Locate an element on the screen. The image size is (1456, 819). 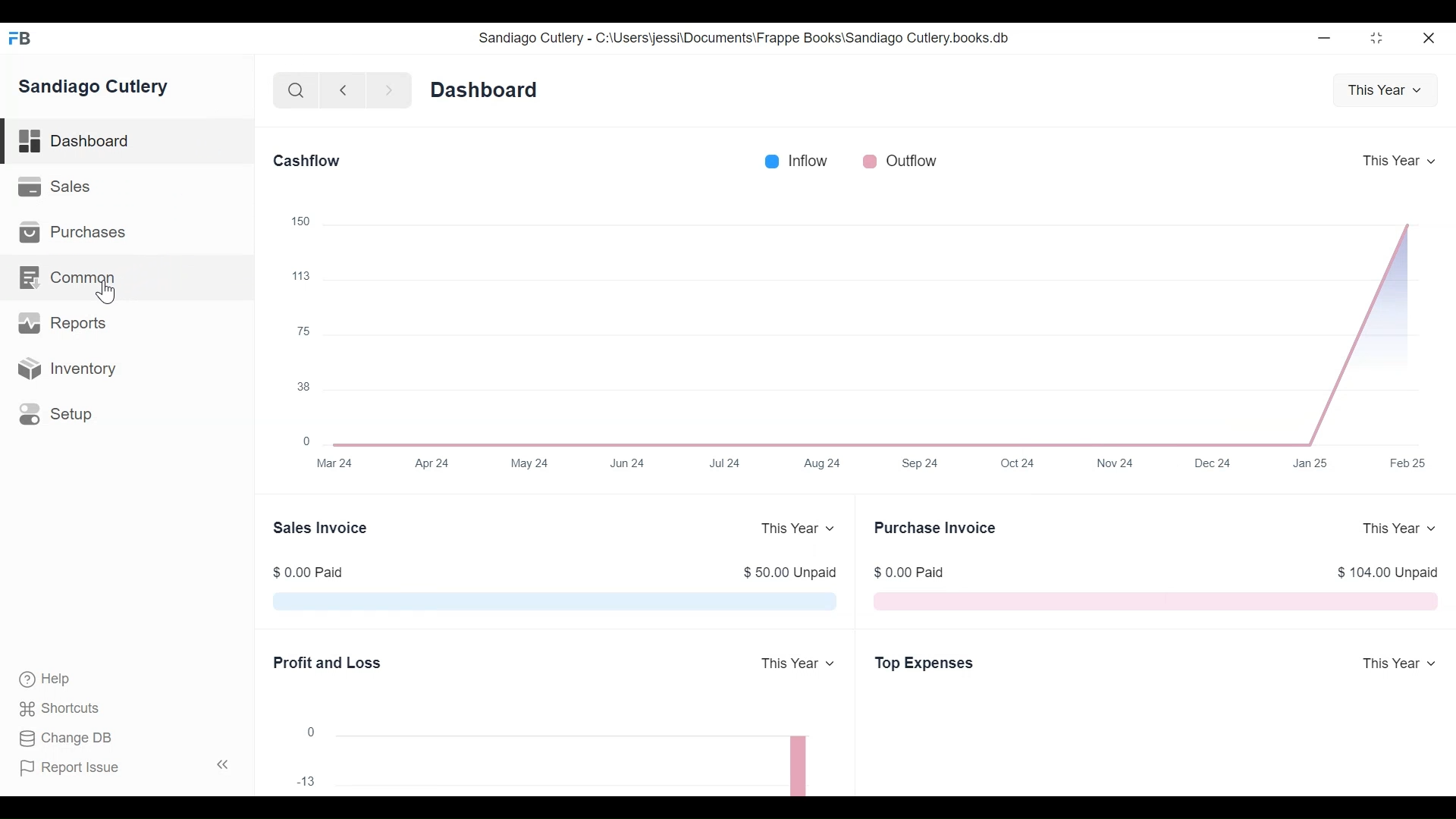
This Year is located at coordinates (1398, 160).